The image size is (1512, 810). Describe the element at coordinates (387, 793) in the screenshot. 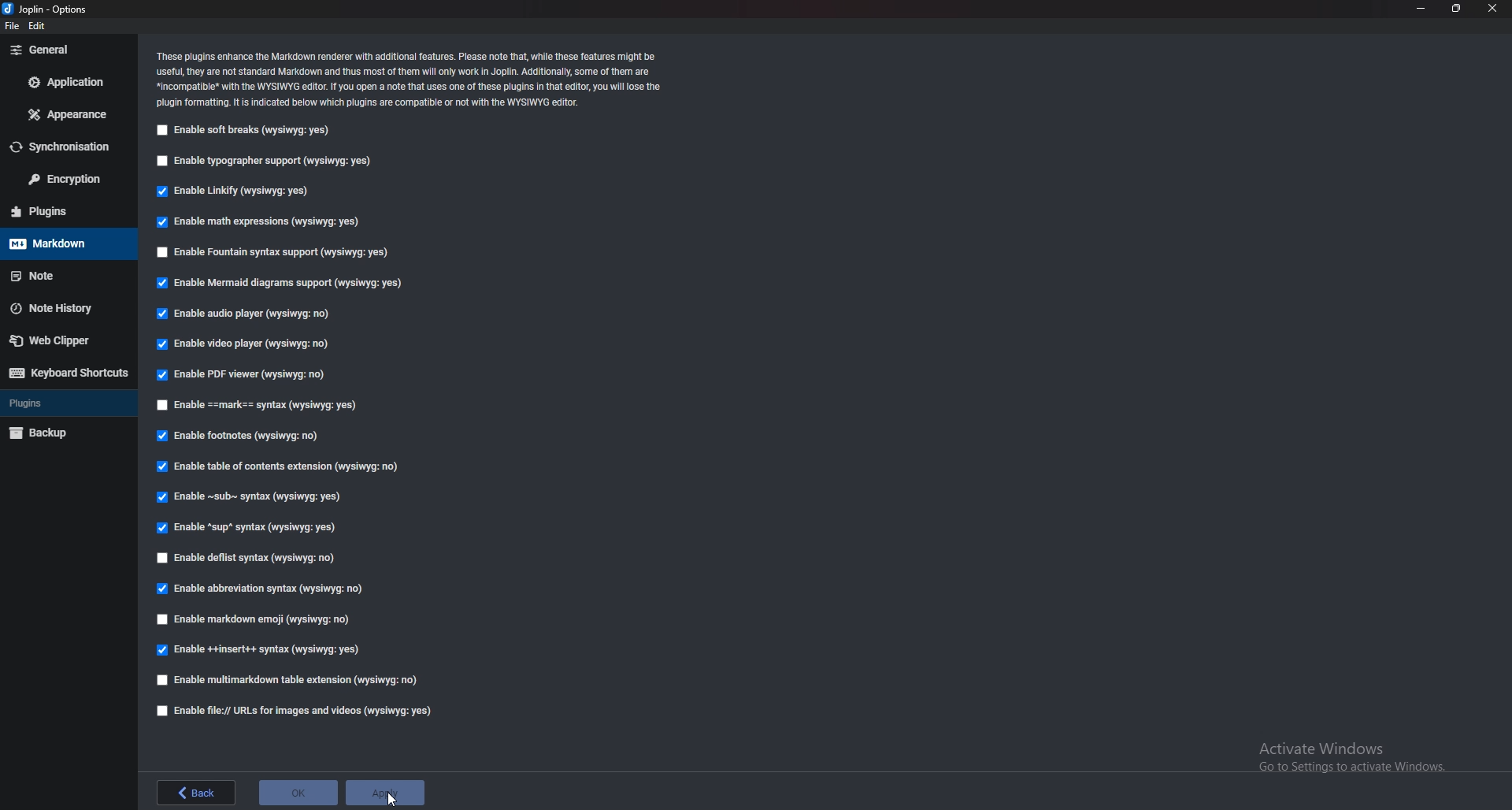

I see `apply` at that location.